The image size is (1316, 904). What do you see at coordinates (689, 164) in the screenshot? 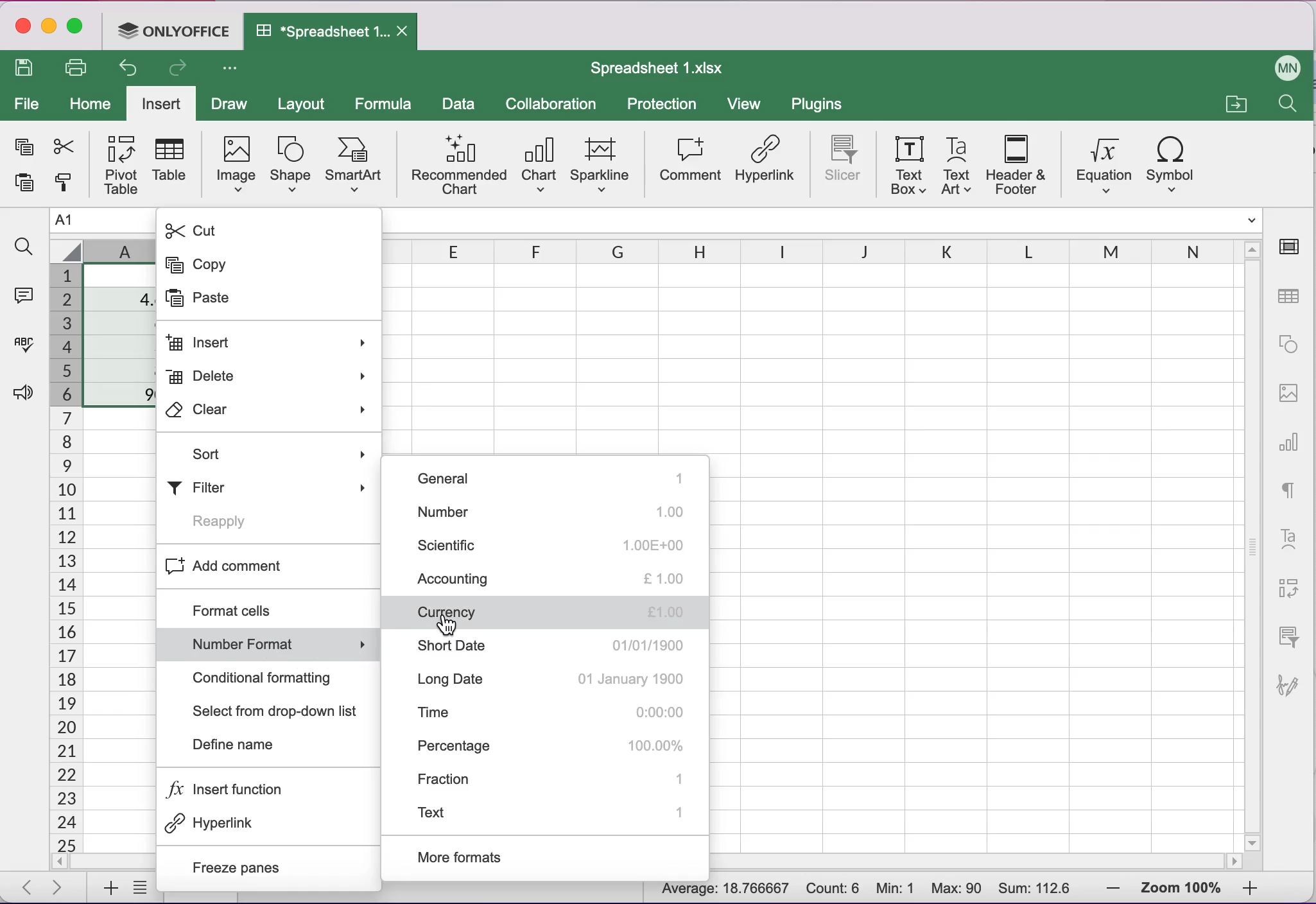
I see `comment` at bounding box center [689, 164].